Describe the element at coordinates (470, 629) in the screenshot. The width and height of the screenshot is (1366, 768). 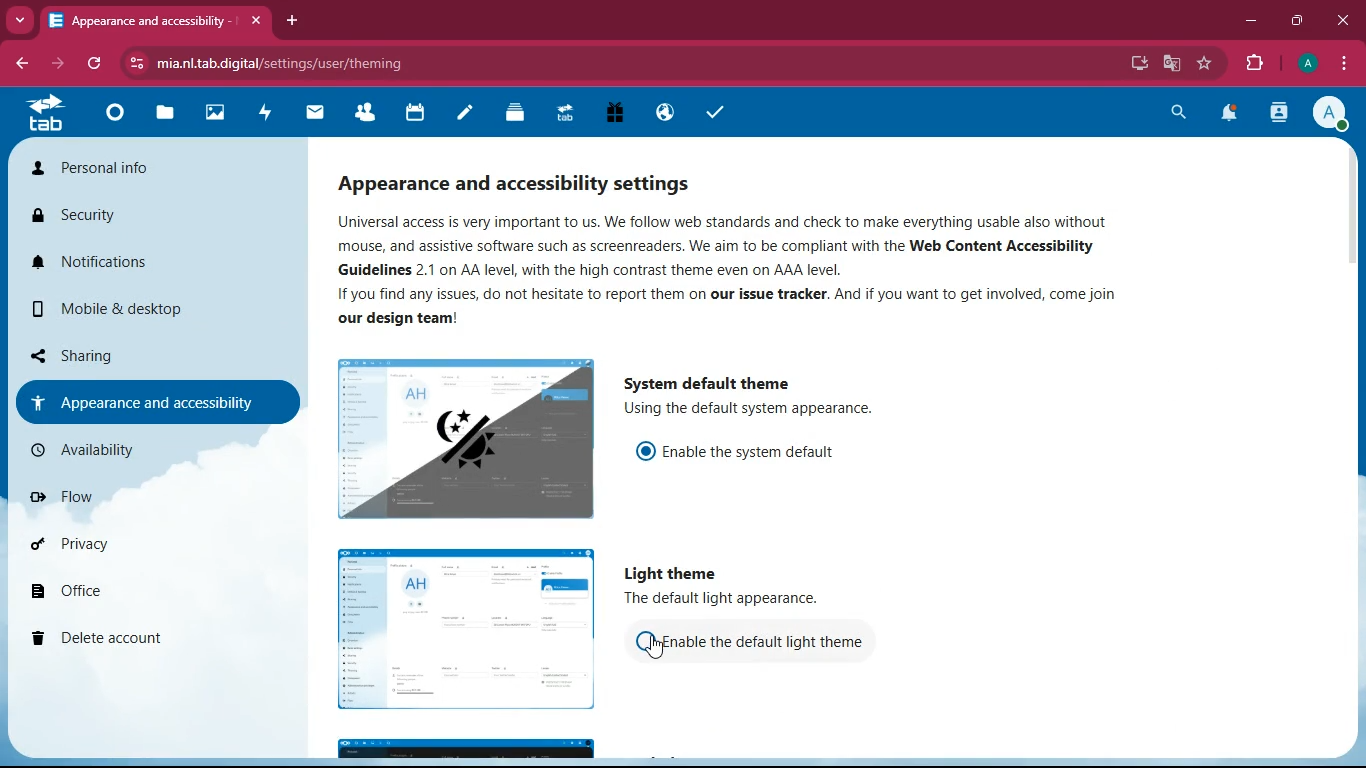
I see `image` at that location.